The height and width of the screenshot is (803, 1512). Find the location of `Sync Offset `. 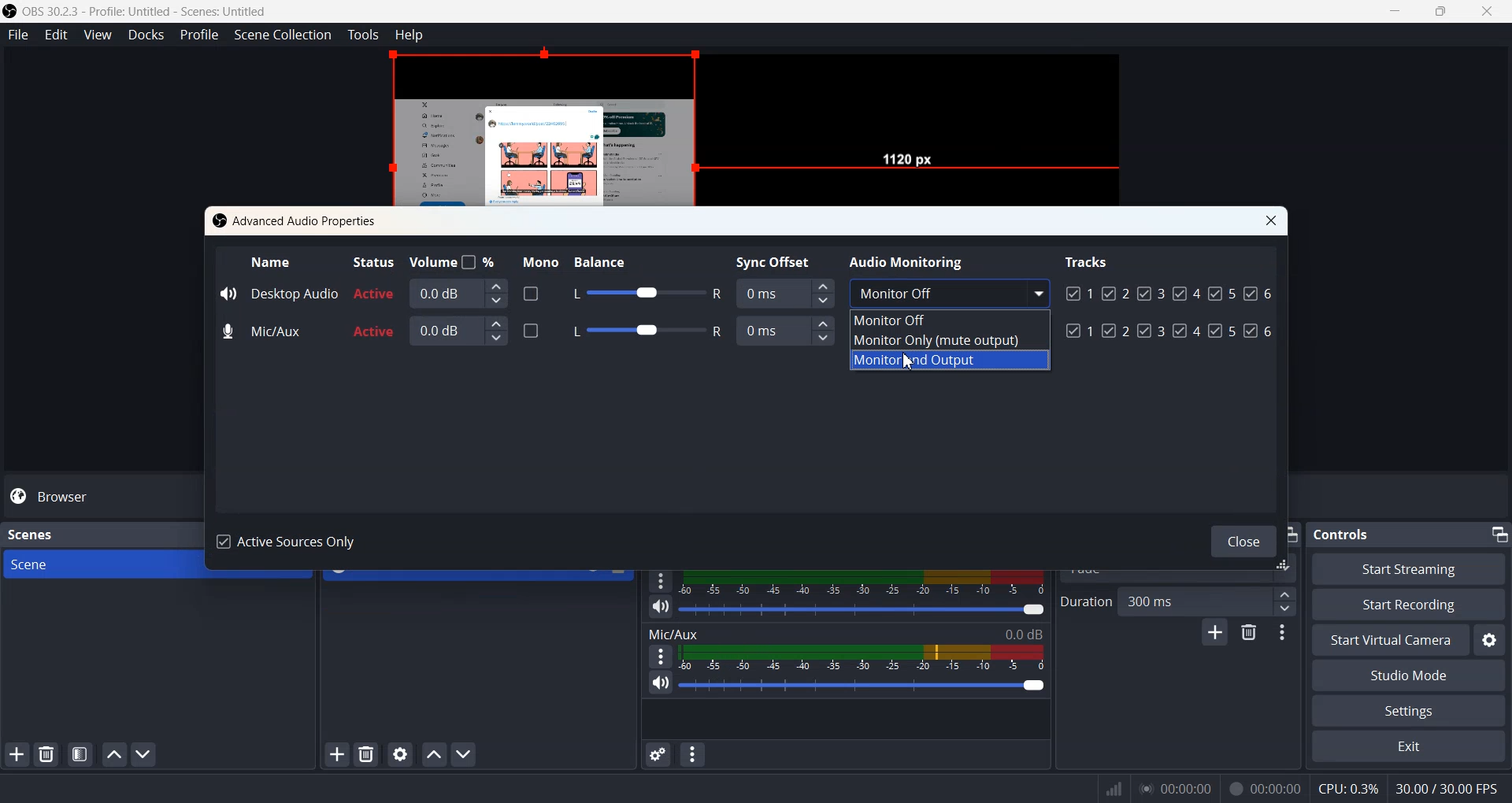

Sync Offset  is located at coordinates (784, 292).